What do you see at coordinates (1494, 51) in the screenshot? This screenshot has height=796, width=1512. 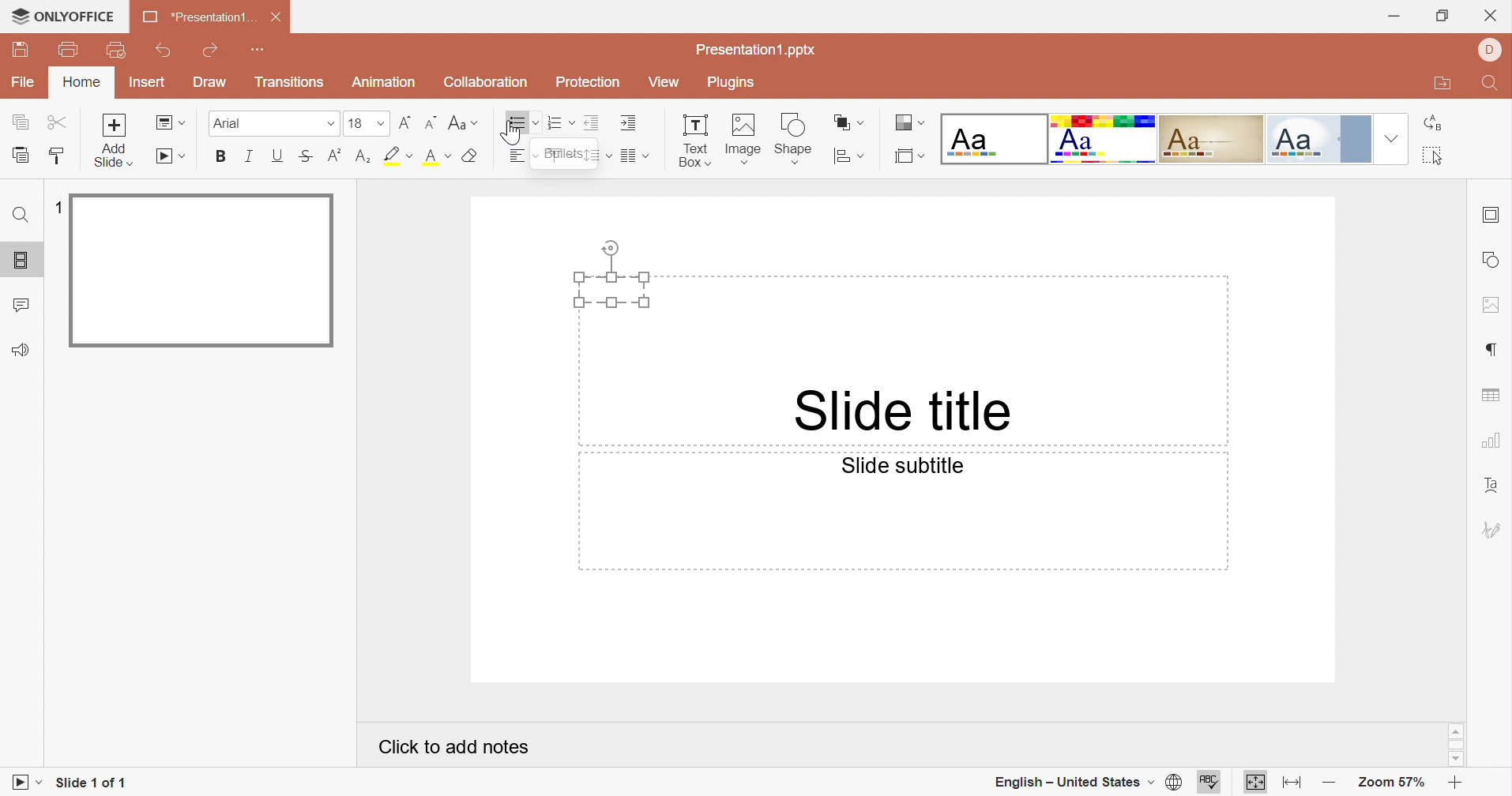 I see `DELL` at bounding box center [1494, 51].